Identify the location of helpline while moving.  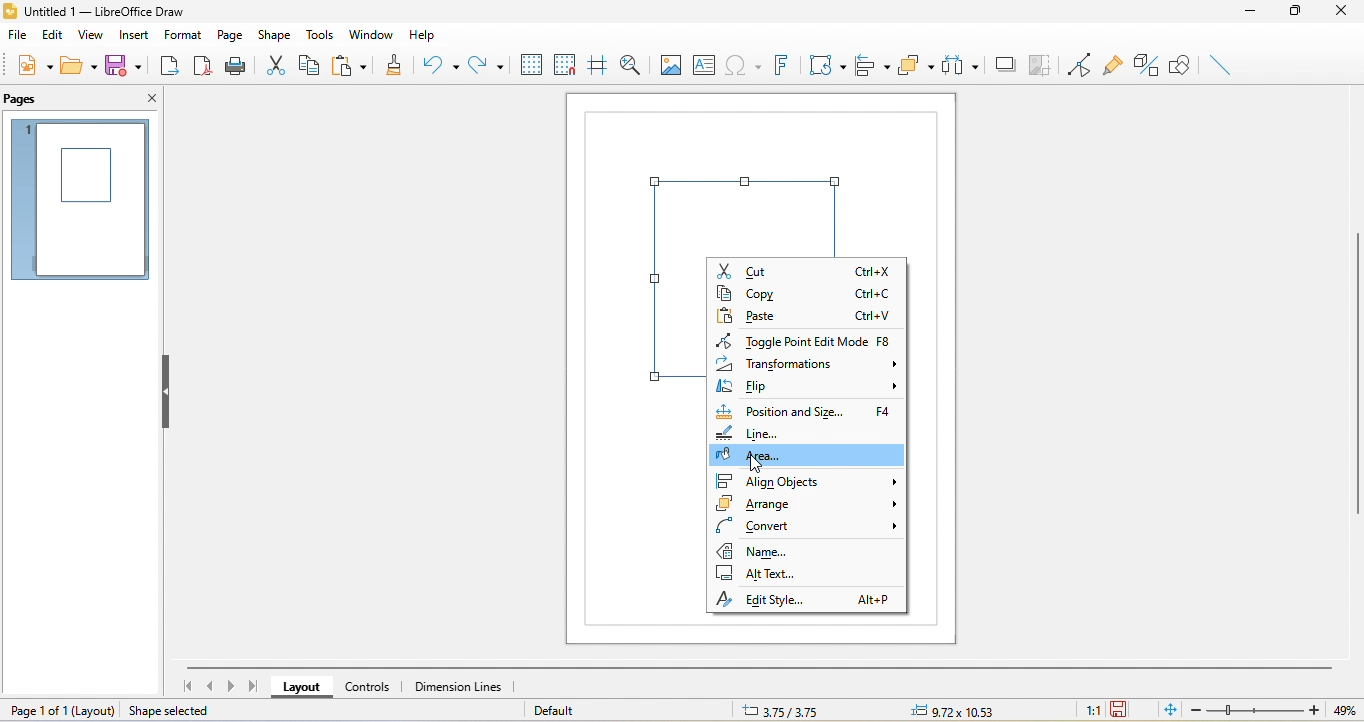
(596, 66).